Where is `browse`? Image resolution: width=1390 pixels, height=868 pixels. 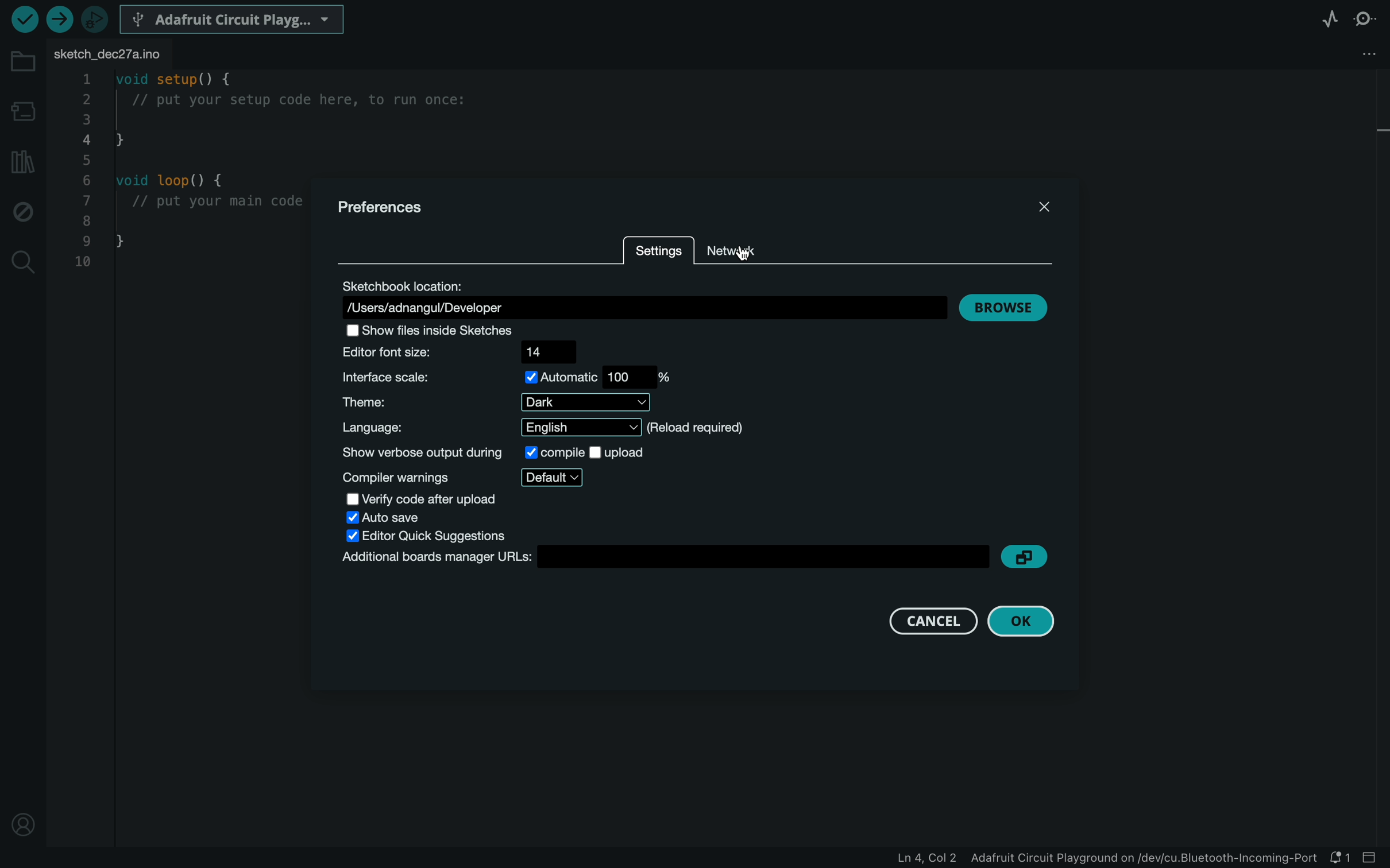 browse is located at coordinates (1002, 308).